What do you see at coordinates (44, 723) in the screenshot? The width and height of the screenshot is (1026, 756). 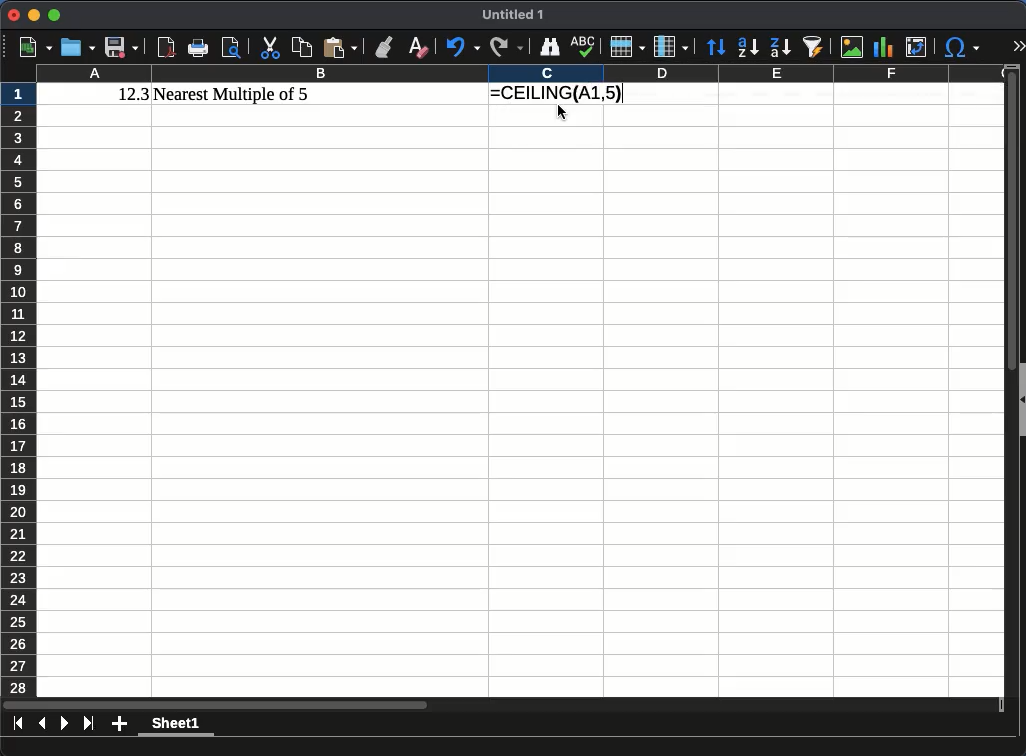 I see `previous sheet` at bounding box center [44, 723].